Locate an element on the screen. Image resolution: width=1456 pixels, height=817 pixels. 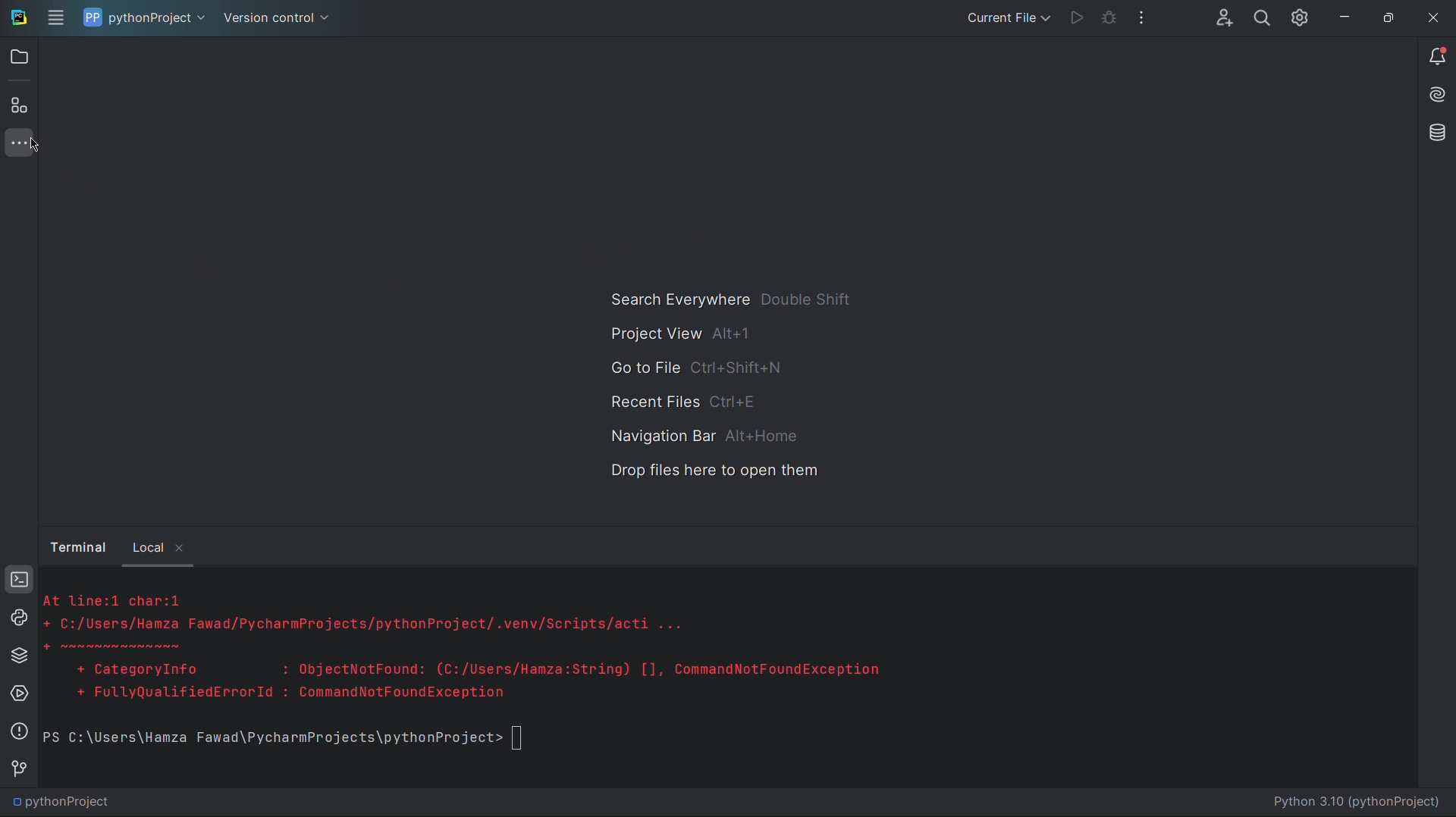
Problems is located at coordinates (18, 731).